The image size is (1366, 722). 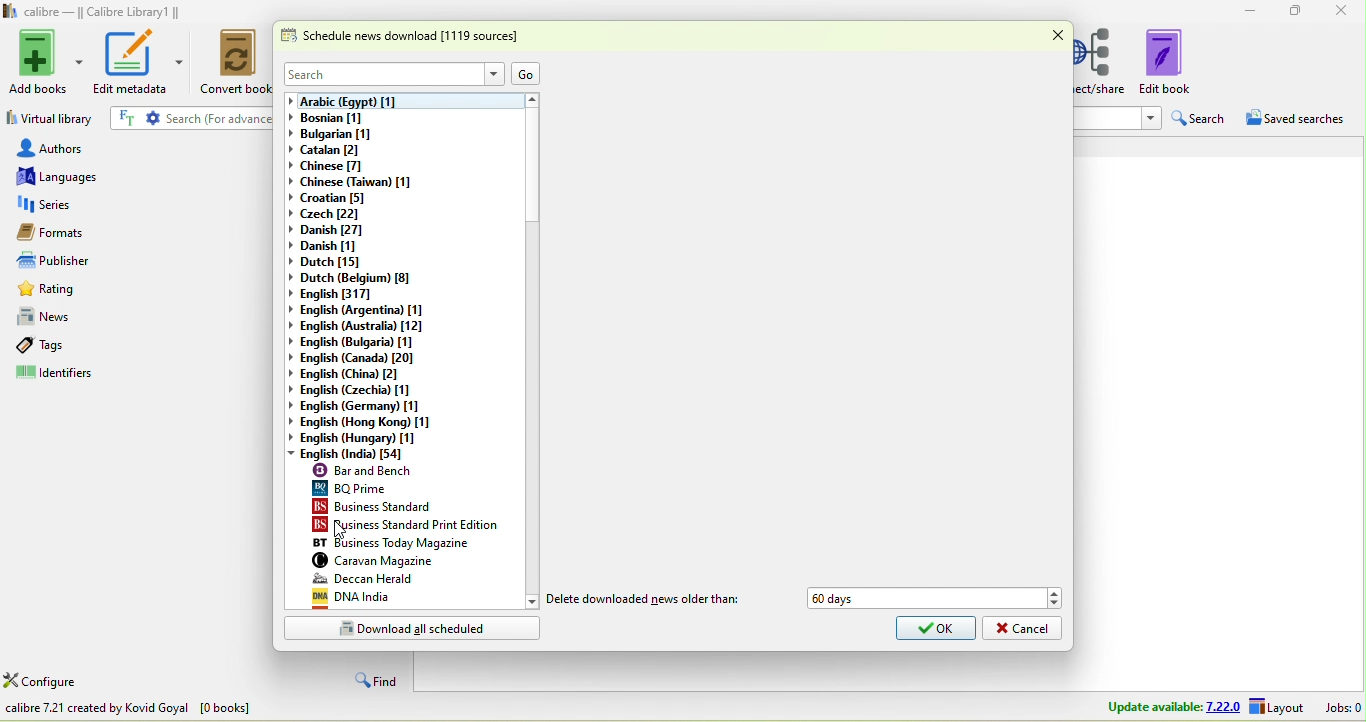 I want to click on authors, so click(x=140, y=146).